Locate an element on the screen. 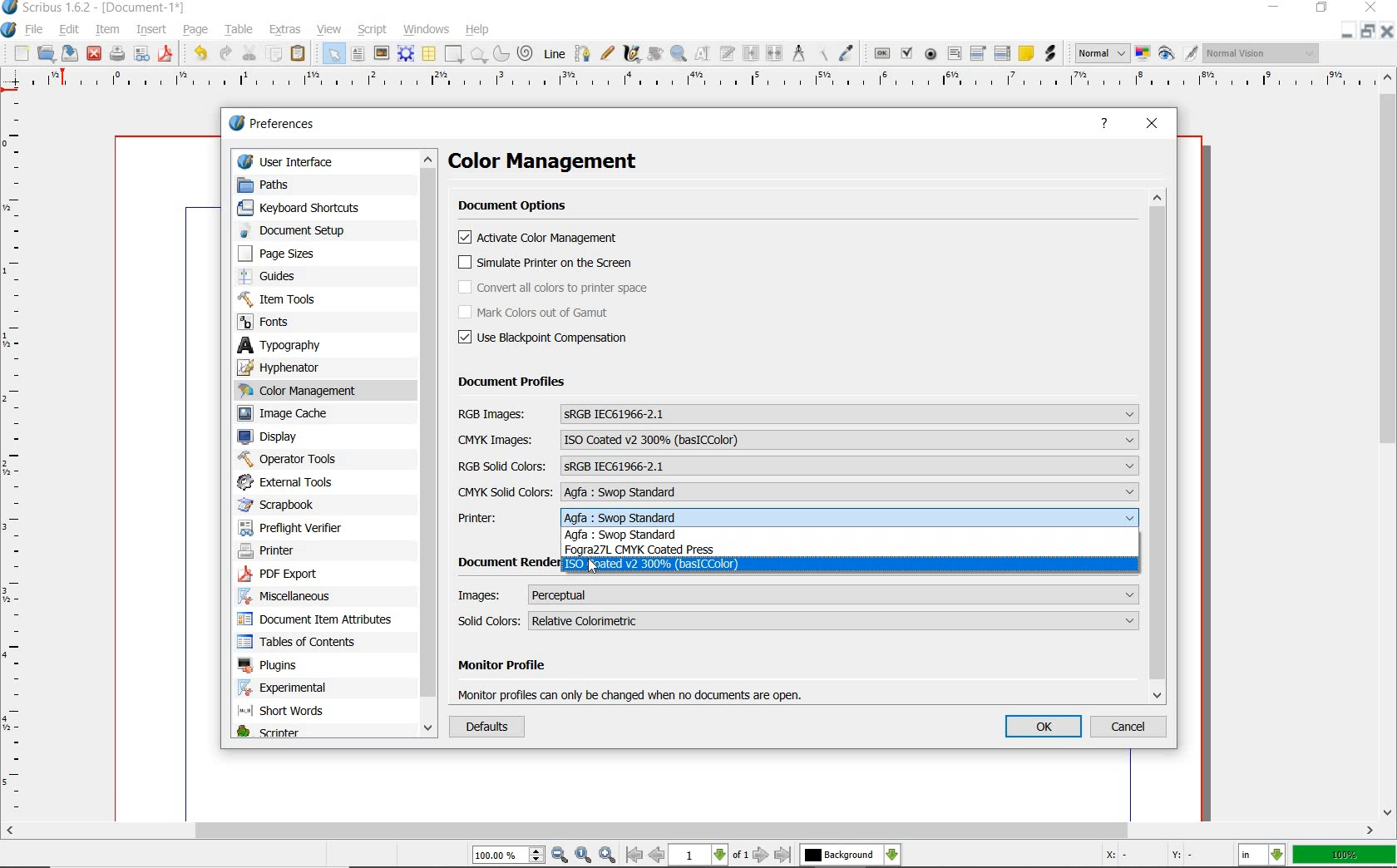 Image resolution: width=1397 pixels, height=868 pixels. CMYK SOLID COLORS is located at coordinates (797, 492).